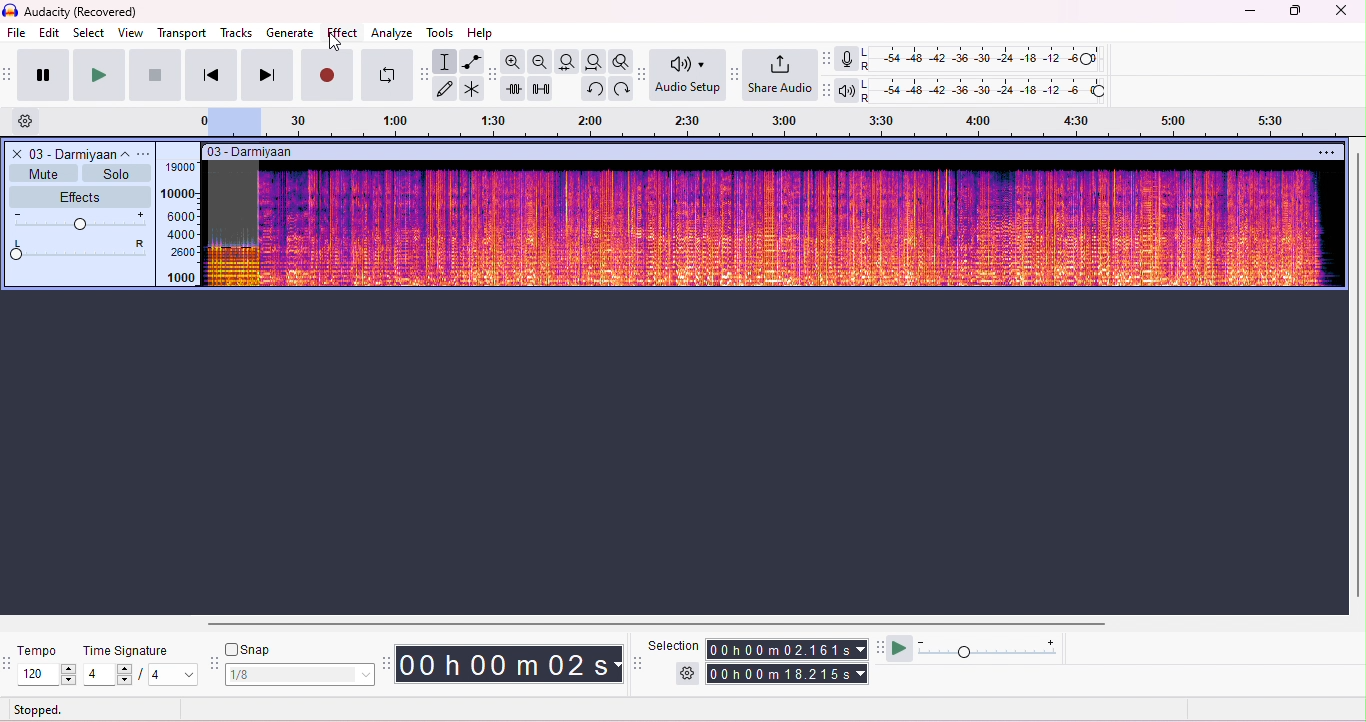 This screenshot has height=722, width=1366. What do you see at coordinates (47, 674) in the screenshot?
I see `select tempo` at bounding box center [47, 674].